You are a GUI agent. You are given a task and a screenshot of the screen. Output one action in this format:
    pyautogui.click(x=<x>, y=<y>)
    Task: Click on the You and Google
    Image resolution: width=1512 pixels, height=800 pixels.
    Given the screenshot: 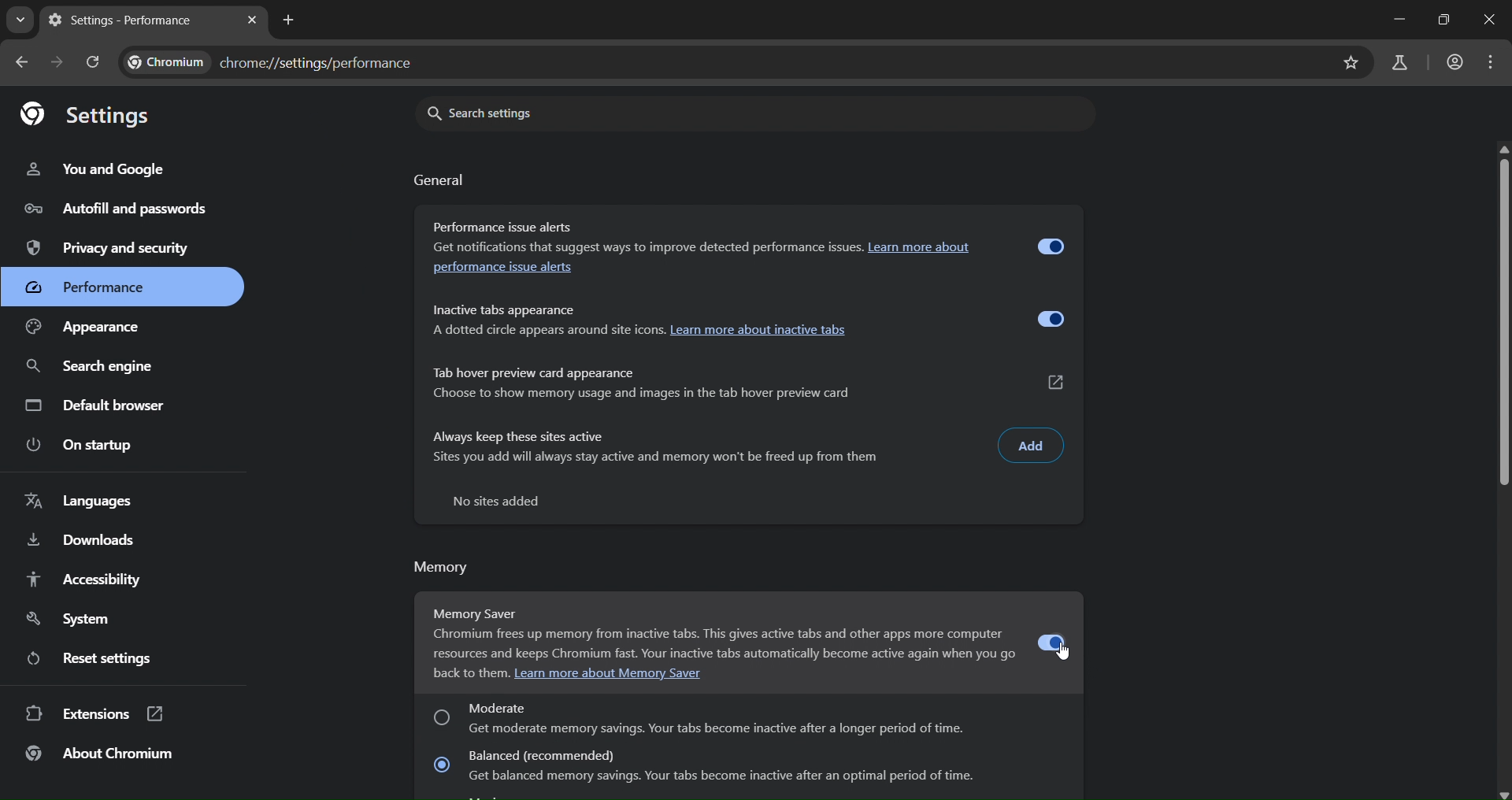 What is the action you would take?
    pyautogui.click(x=98, y=170)
    